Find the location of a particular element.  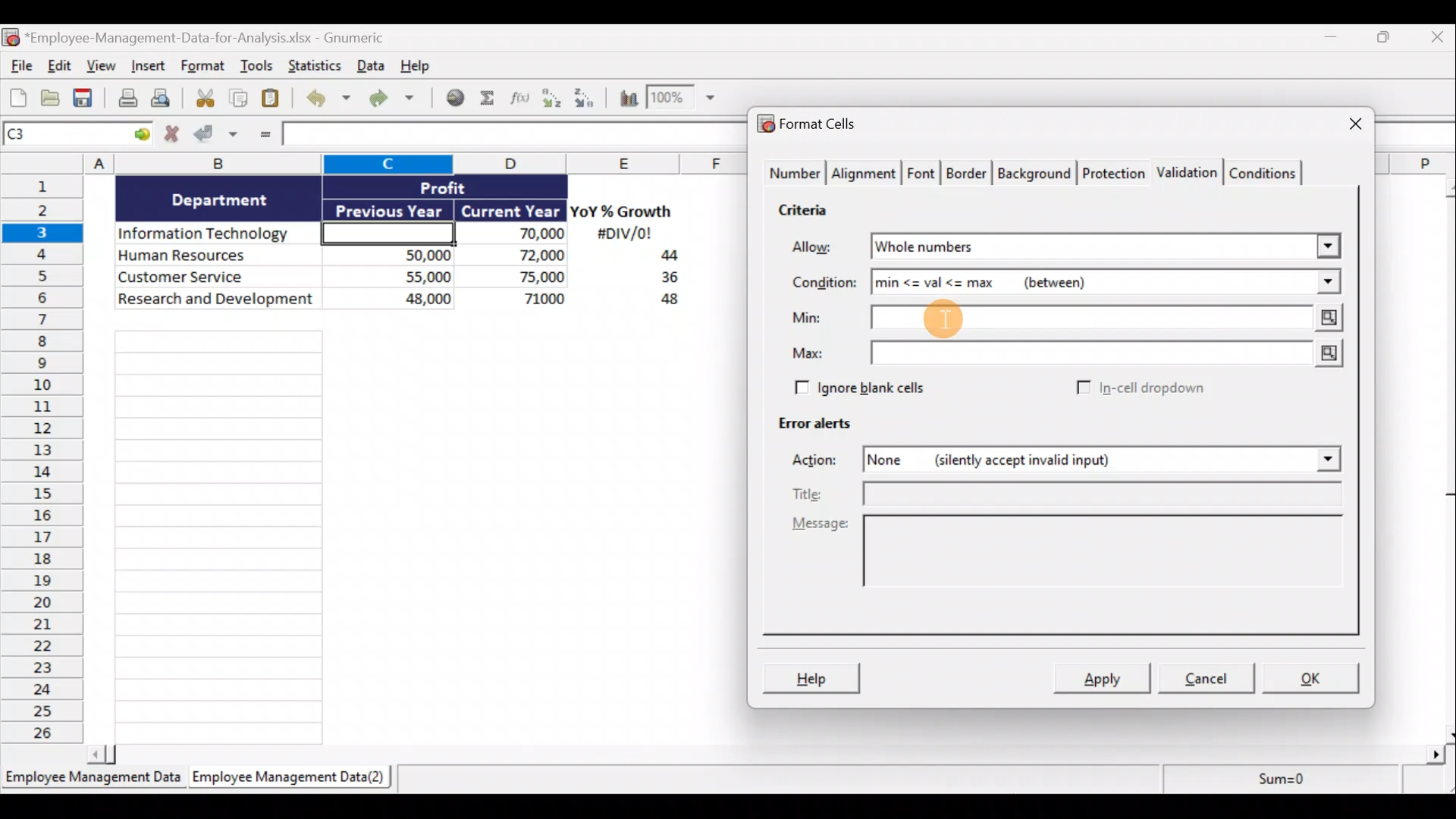

Go to is located at coordinates (142, 135).